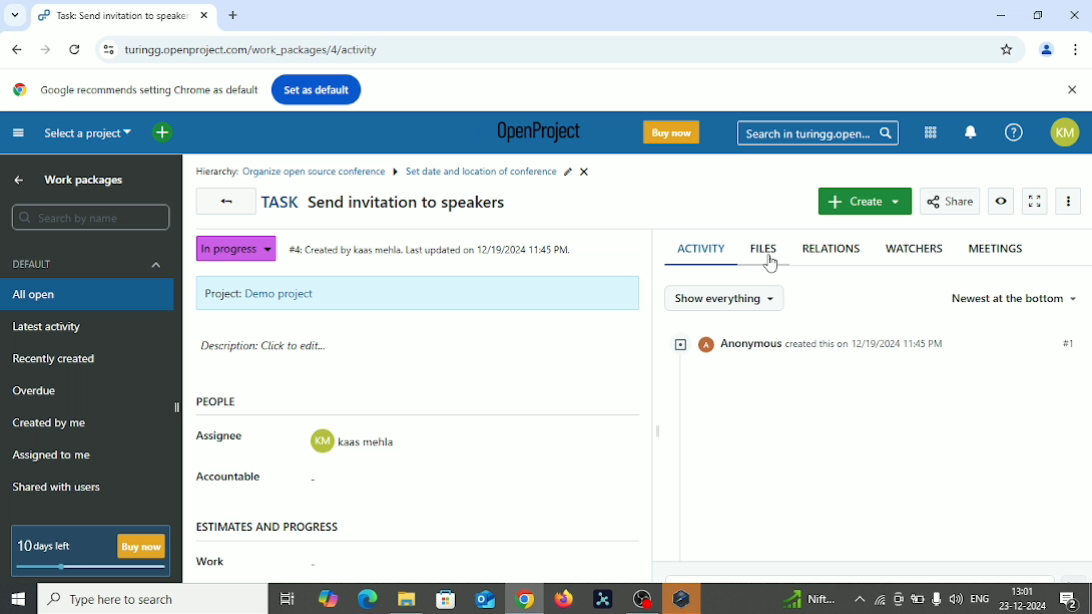 The width and height of the screenshot is (1092, 614). I want to click on Warning, so click(681, 599).